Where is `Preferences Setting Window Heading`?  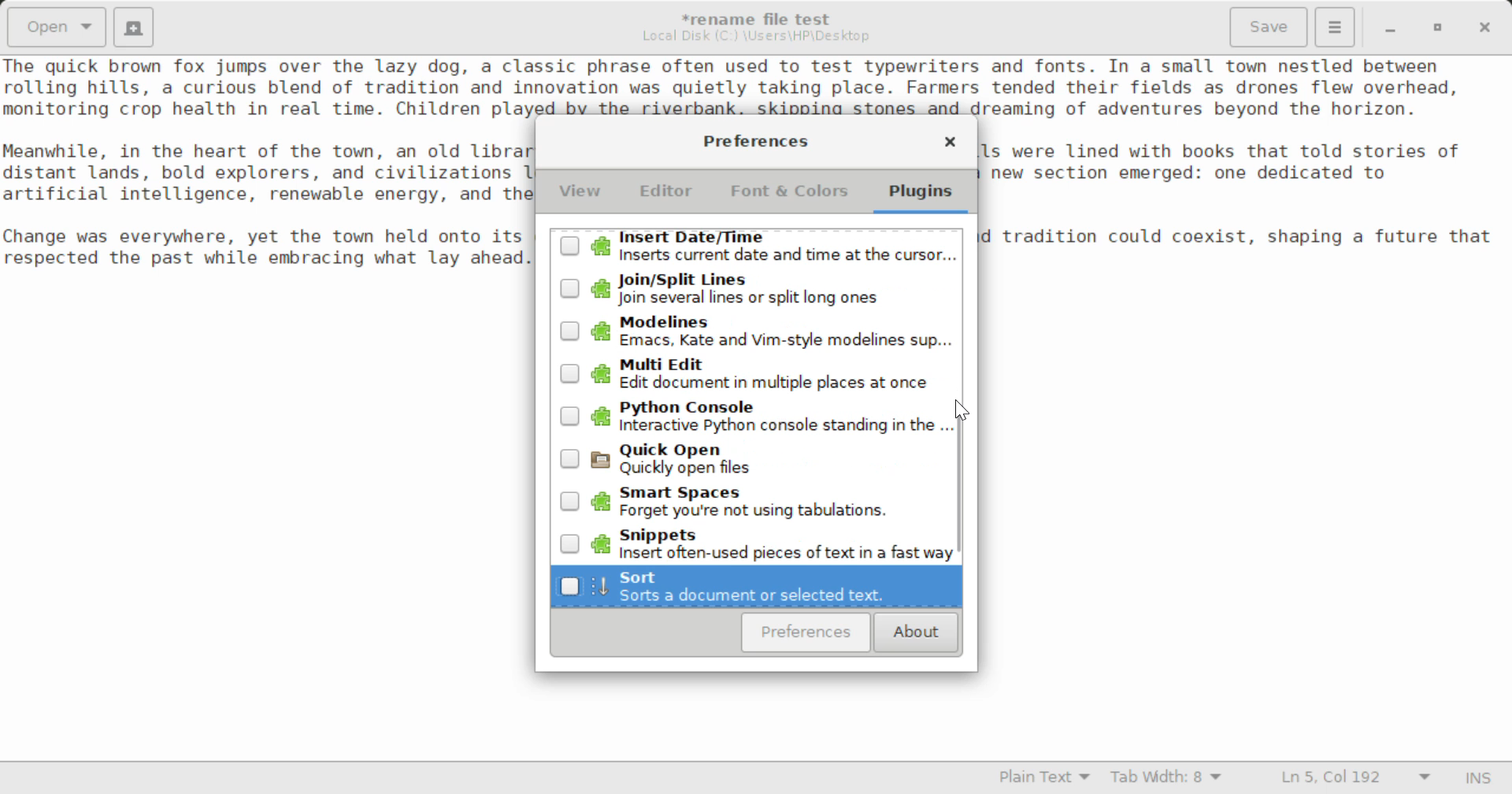 Preferences Setting Window Heading is located at coordinates (755, 141).